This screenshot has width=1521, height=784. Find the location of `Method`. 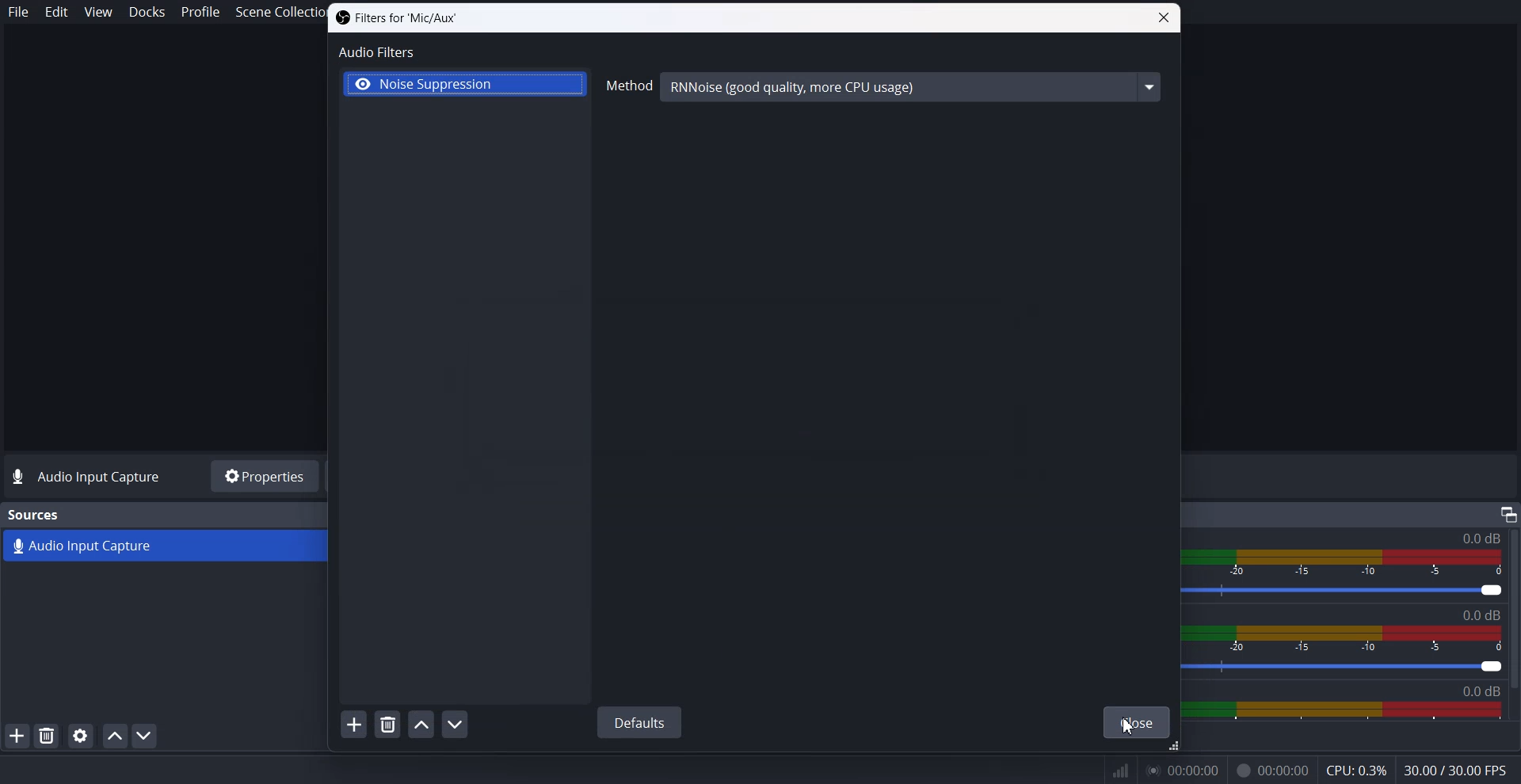

Method is located at coordinates (884, 89).